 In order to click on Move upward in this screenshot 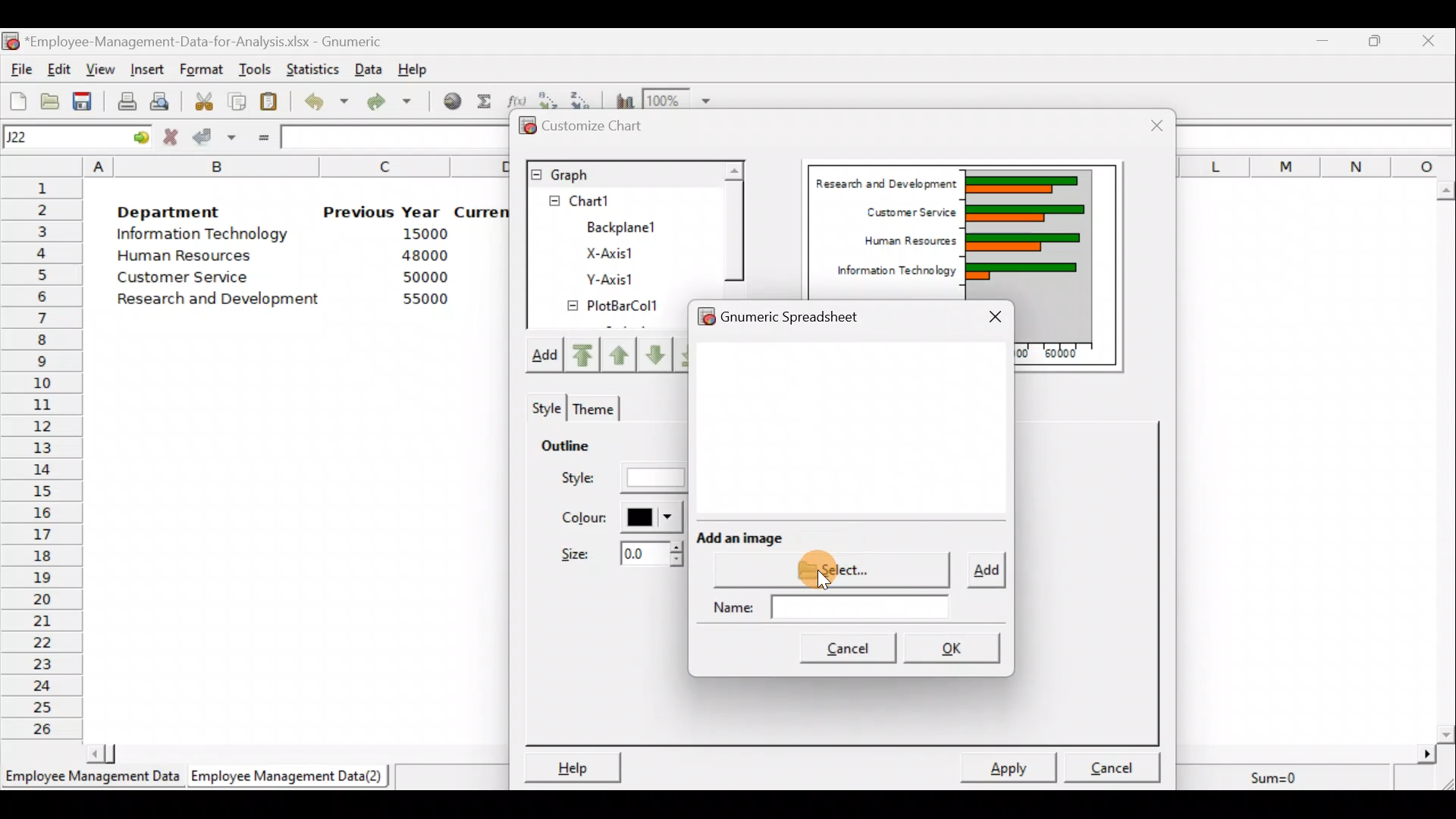, I will do `click(587, 354)`.